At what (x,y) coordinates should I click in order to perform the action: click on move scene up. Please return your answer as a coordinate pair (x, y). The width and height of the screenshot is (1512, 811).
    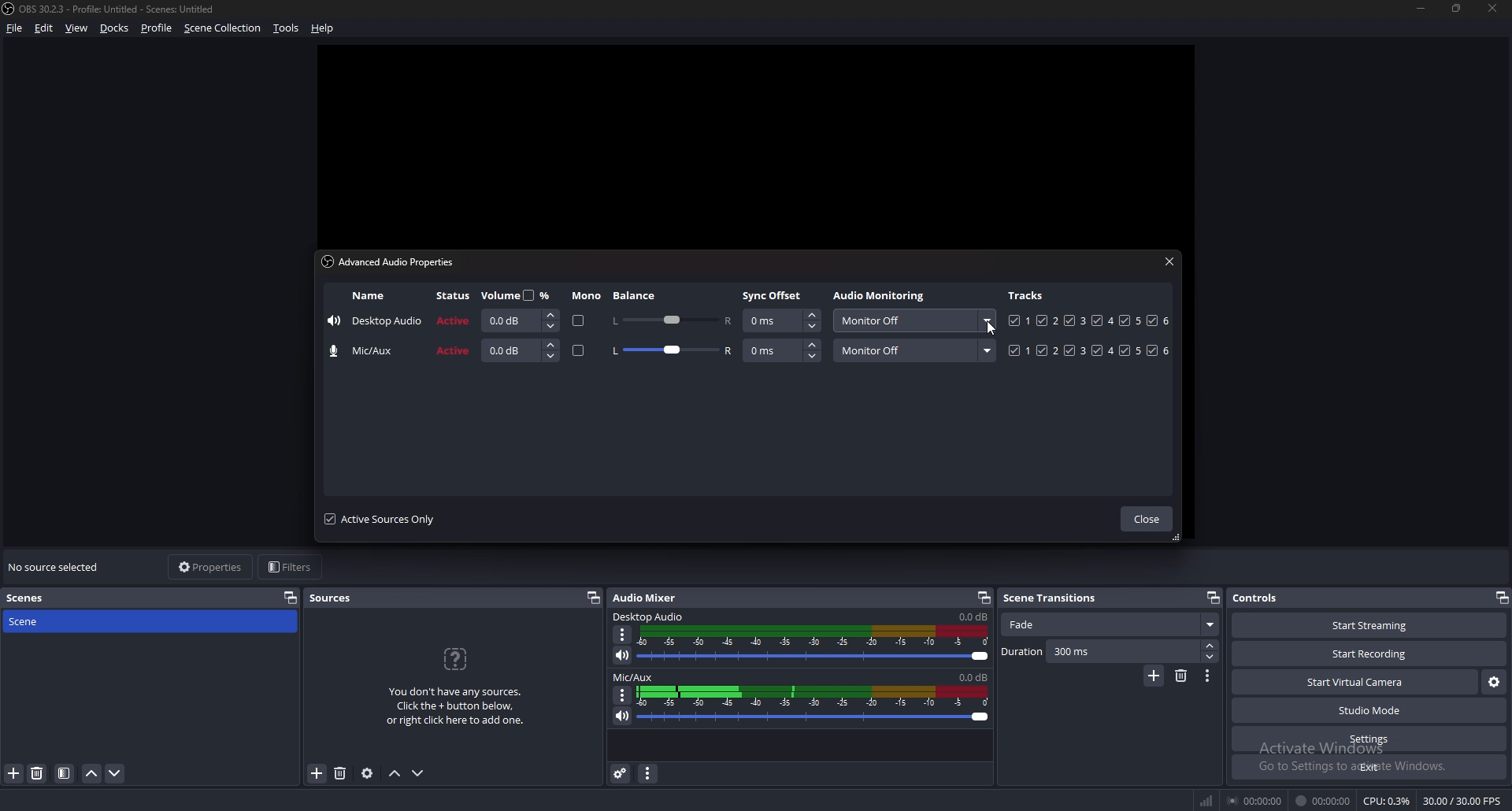
    Looking at the image, I should click on (93, 774).